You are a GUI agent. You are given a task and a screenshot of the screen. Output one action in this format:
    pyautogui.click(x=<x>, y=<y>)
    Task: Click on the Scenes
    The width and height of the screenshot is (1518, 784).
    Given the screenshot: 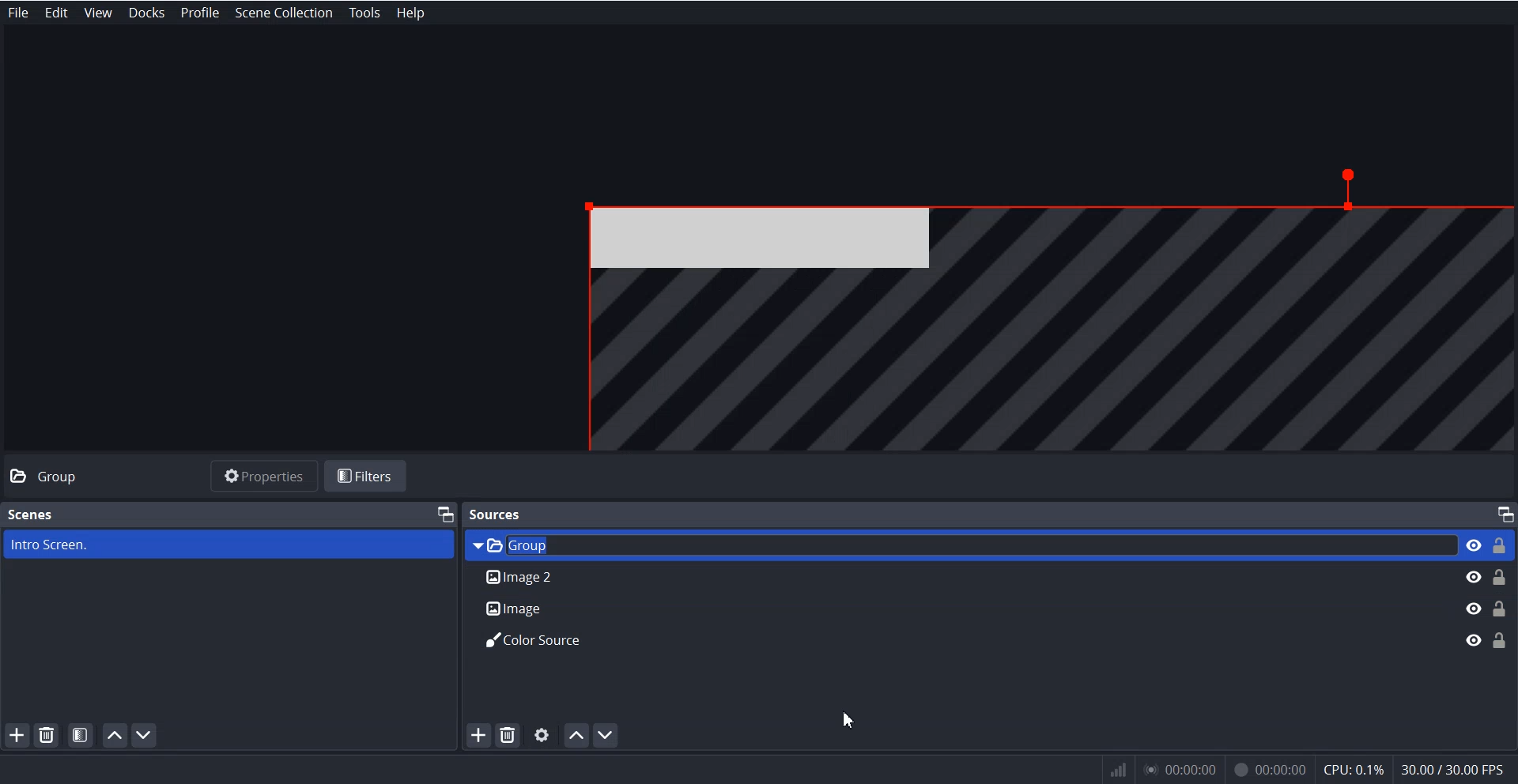 What is the action you would take?
    pyautogui.click(x=30, y=514)
    